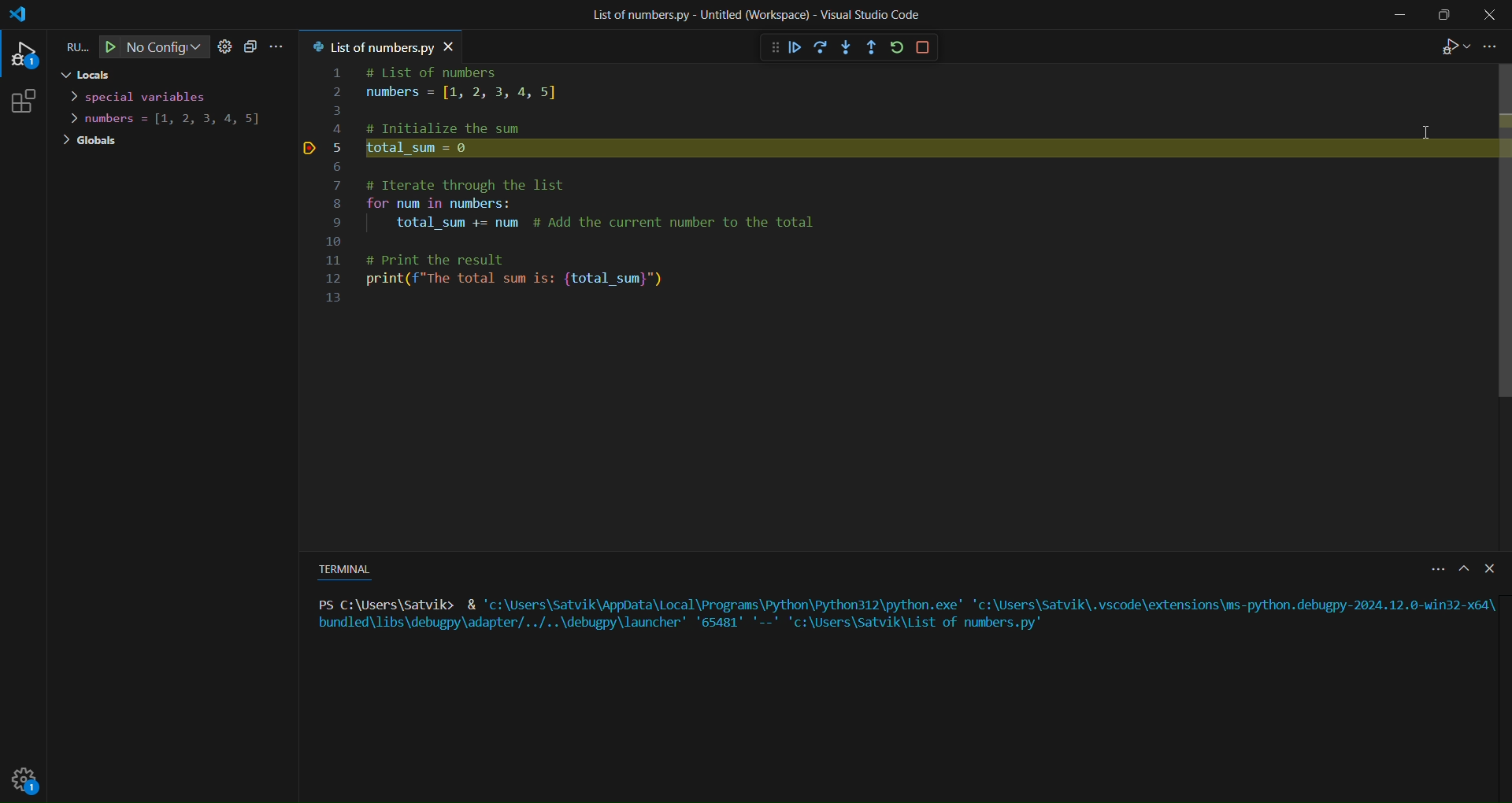 Image resolution: width=1512 pixels, height=803 pixels. Describe the element at coordinates (106, 47) in the screenshot. I see `start debugging` at that location.